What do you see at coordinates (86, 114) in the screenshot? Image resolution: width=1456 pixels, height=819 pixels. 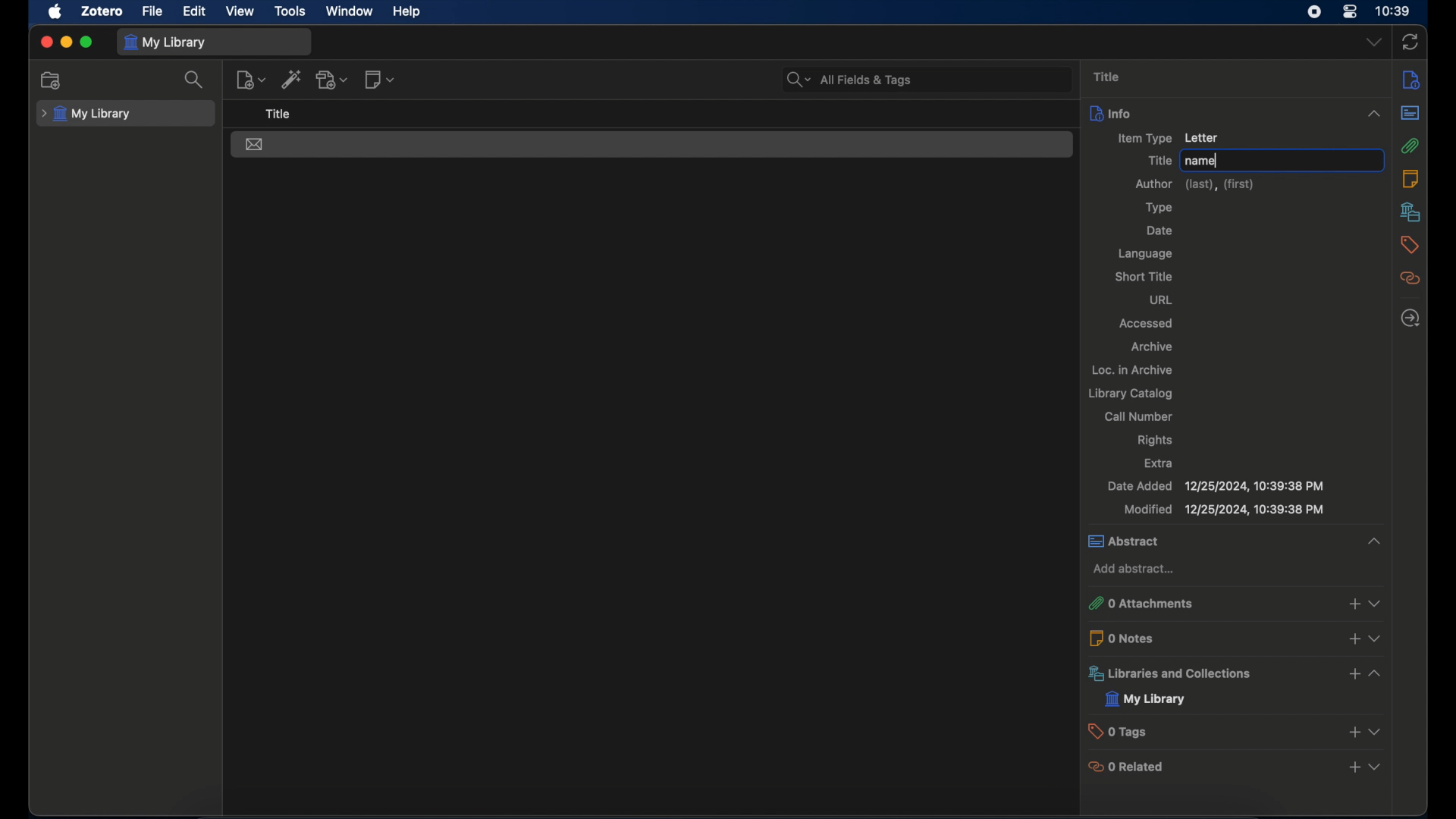 I see `my library` at bounding box center [86, 114].